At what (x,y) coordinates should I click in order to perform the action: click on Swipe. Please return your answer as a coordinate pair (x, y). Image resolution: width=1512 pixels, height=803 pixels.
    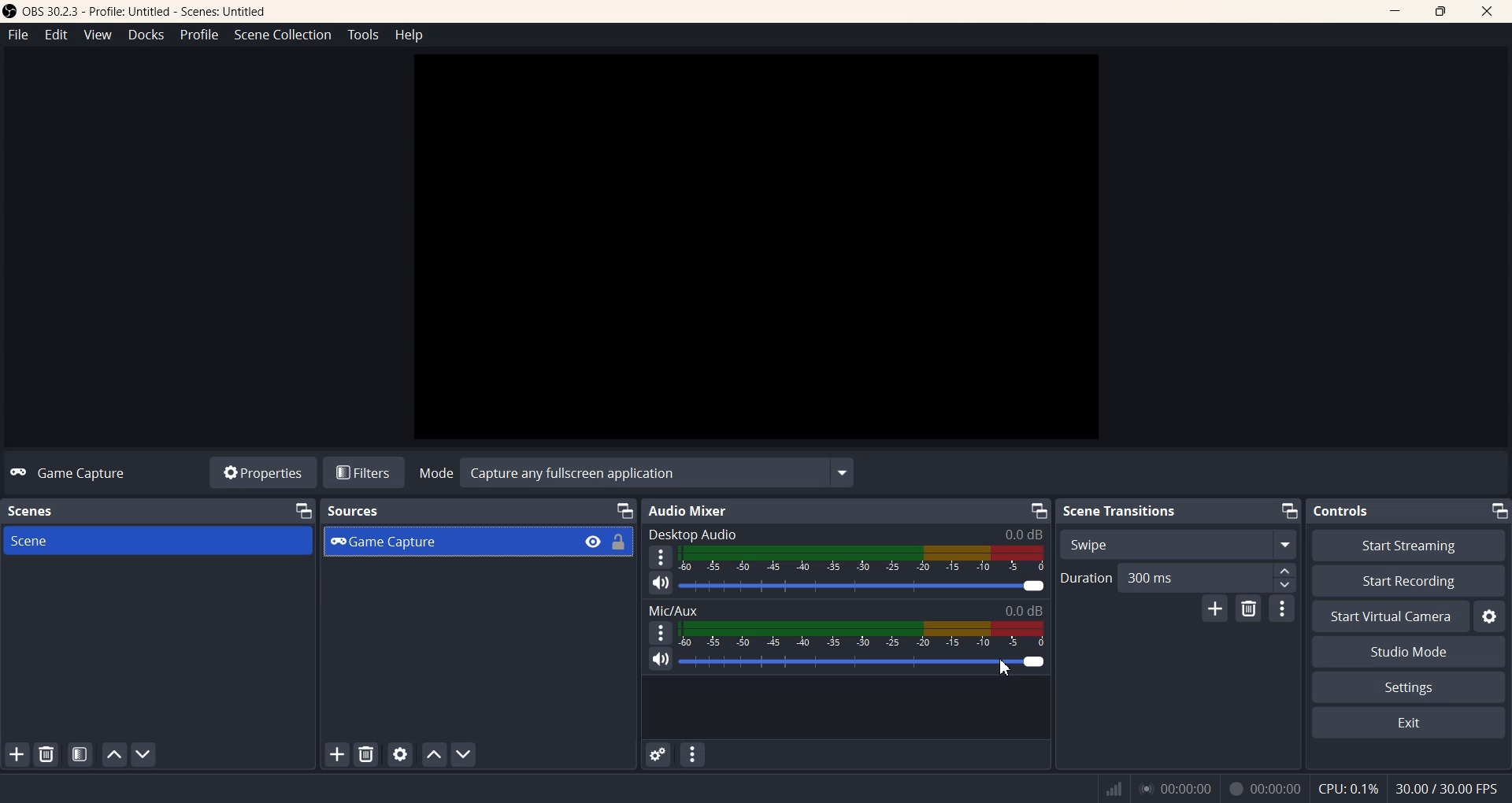
    Looking at the image, I should click on (1177, 544).